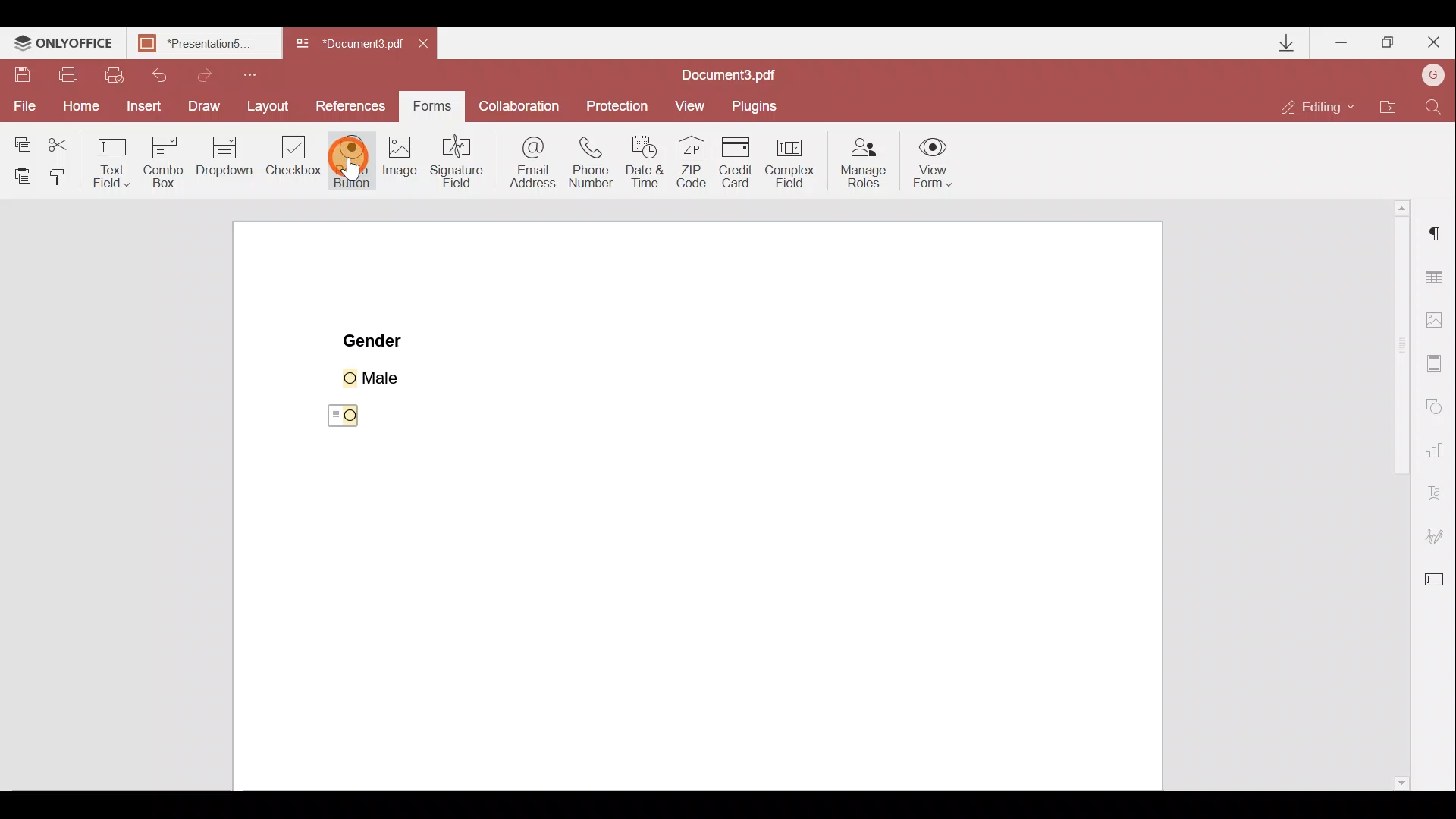 The height and width of the screenshot is (819, 1456). I want to click on Document name, so click(733, 73).